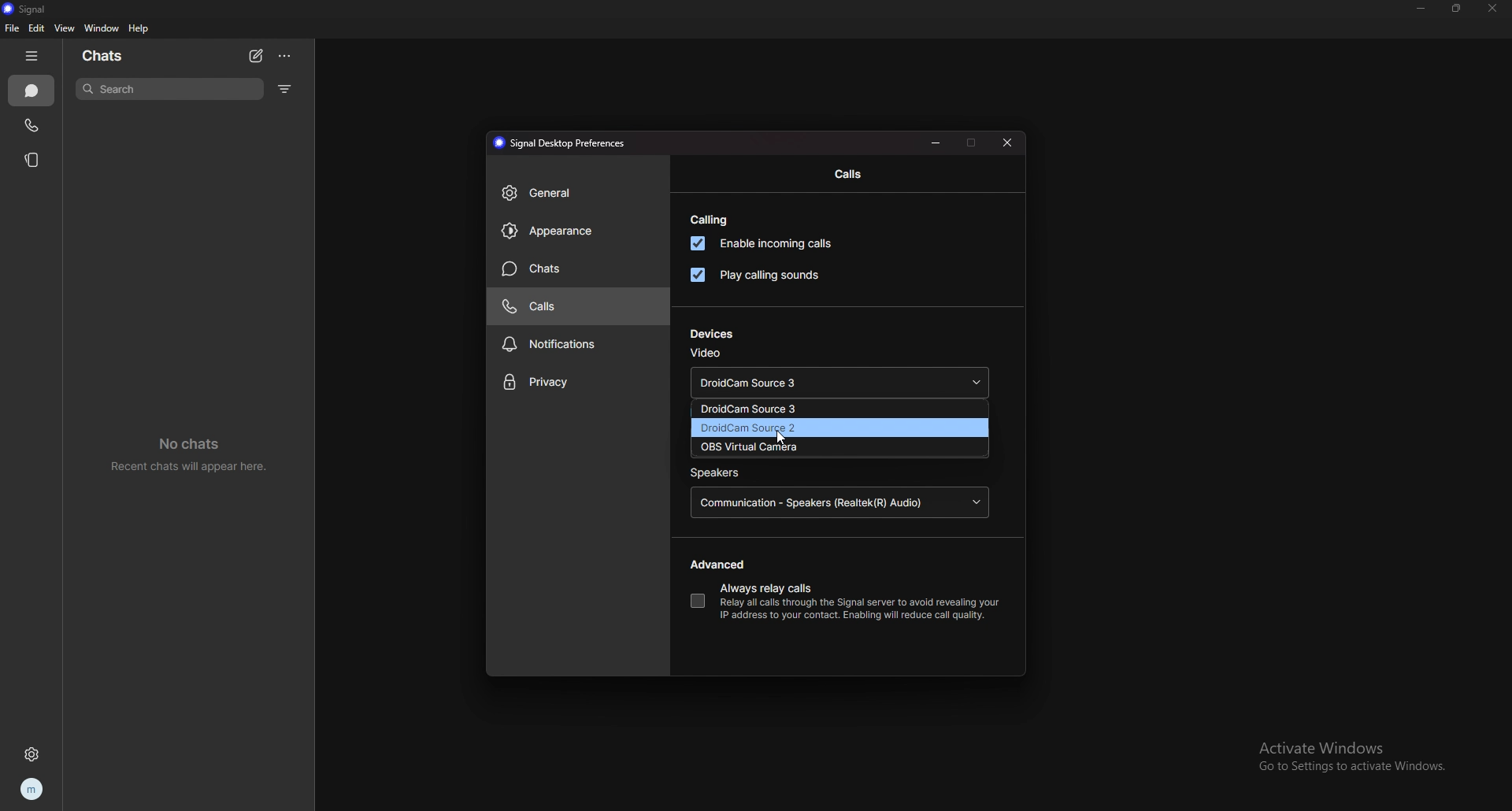 Image resolution: width=1512 pixels, height=811 pixels. I want to click on window, so click(103, 28).